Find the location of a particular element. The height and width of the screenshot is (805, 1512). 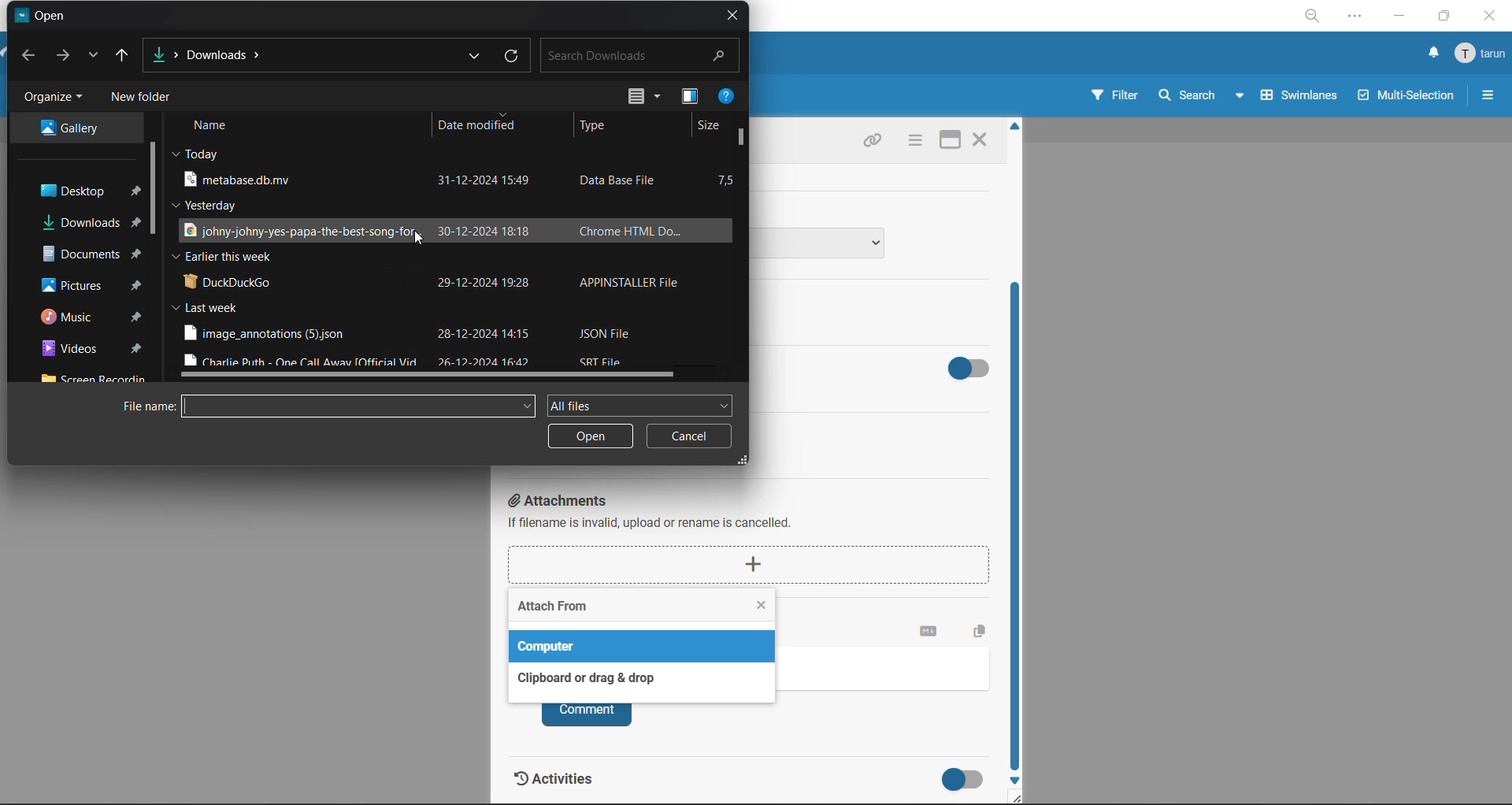

show preview is located at coordinates (690, 100).